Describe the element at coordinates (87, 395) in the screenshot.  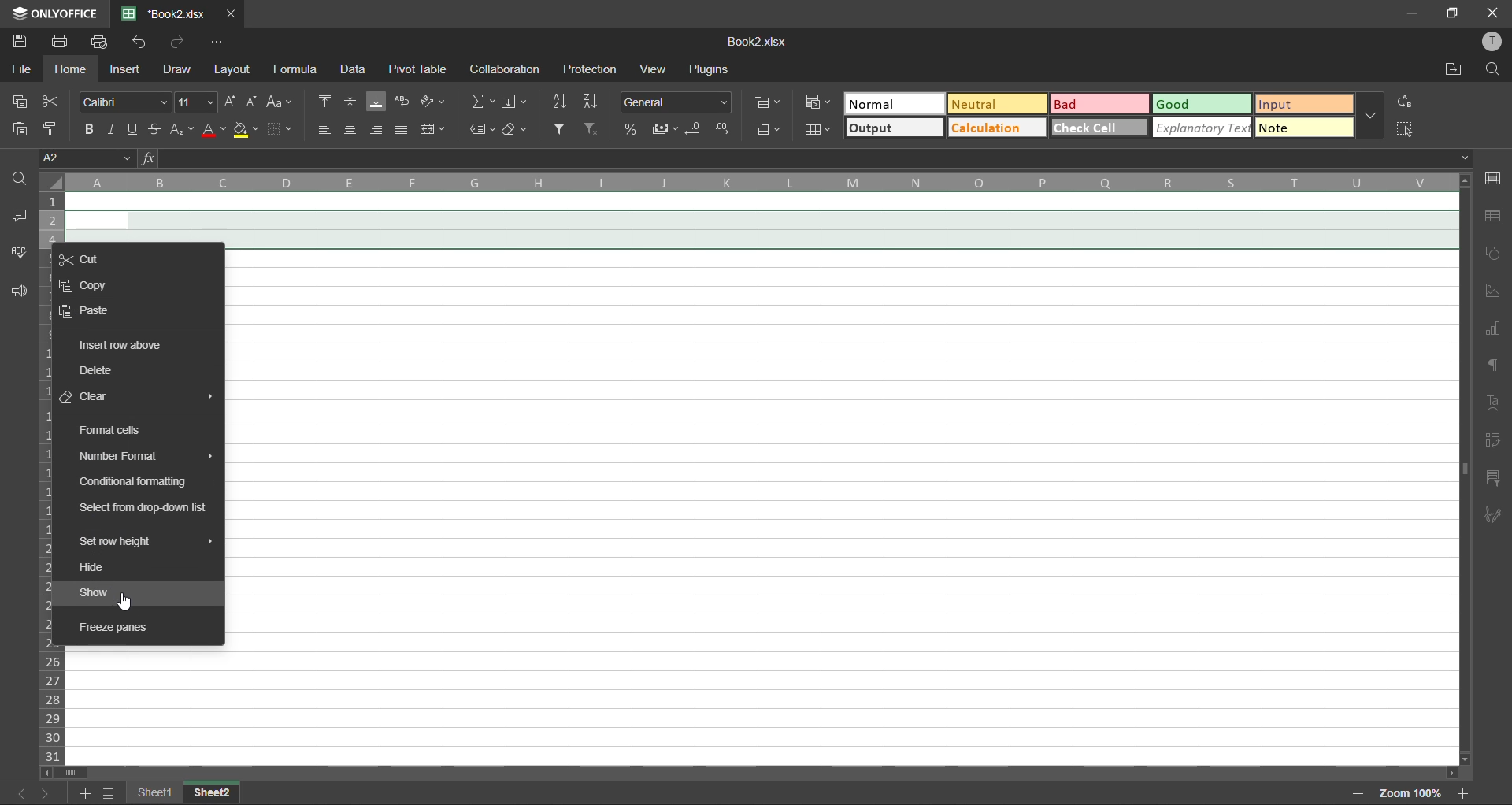
I see `clear` at that location.